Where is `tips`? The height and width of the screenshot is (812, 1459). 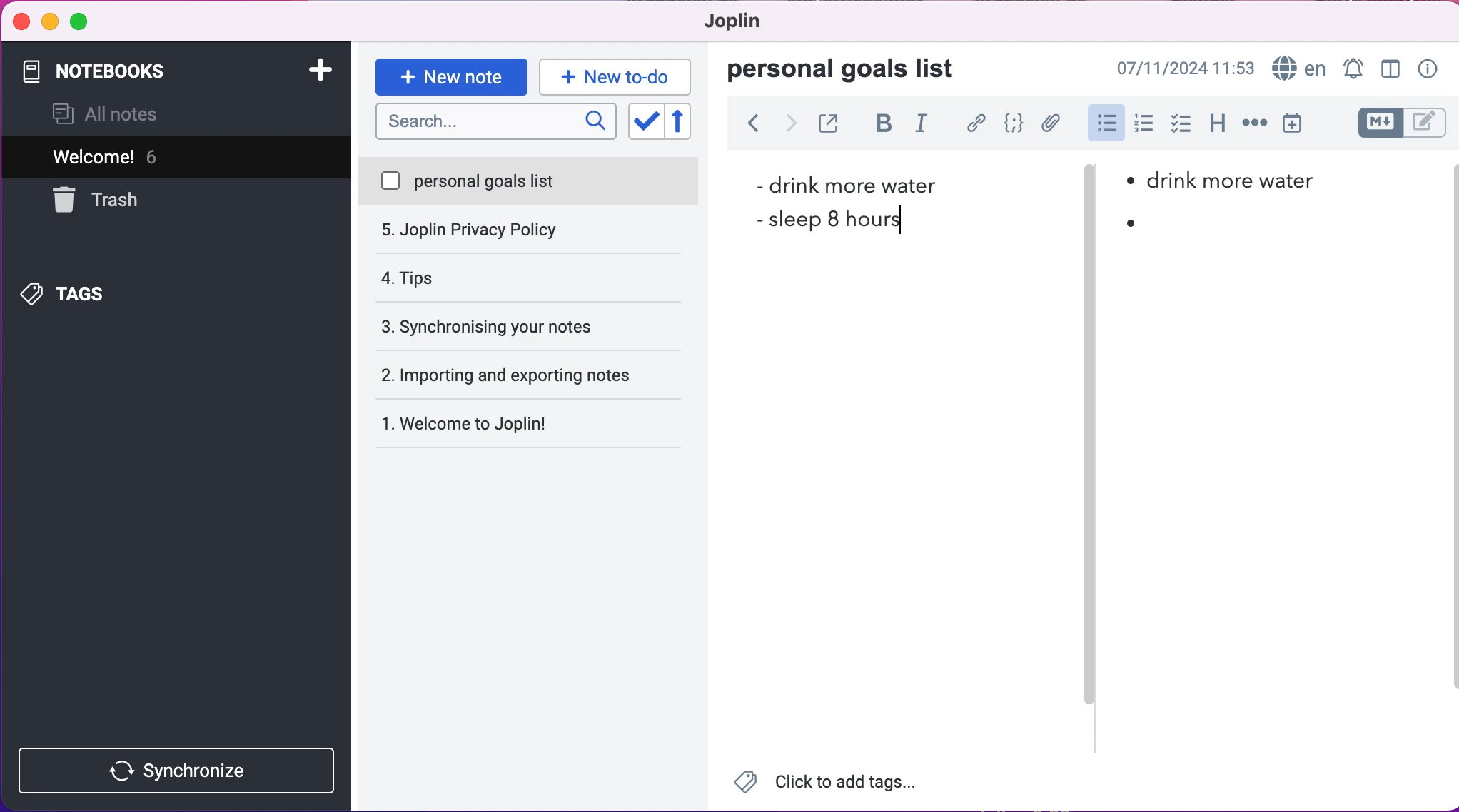
tips is located at coordinates (527, 231).